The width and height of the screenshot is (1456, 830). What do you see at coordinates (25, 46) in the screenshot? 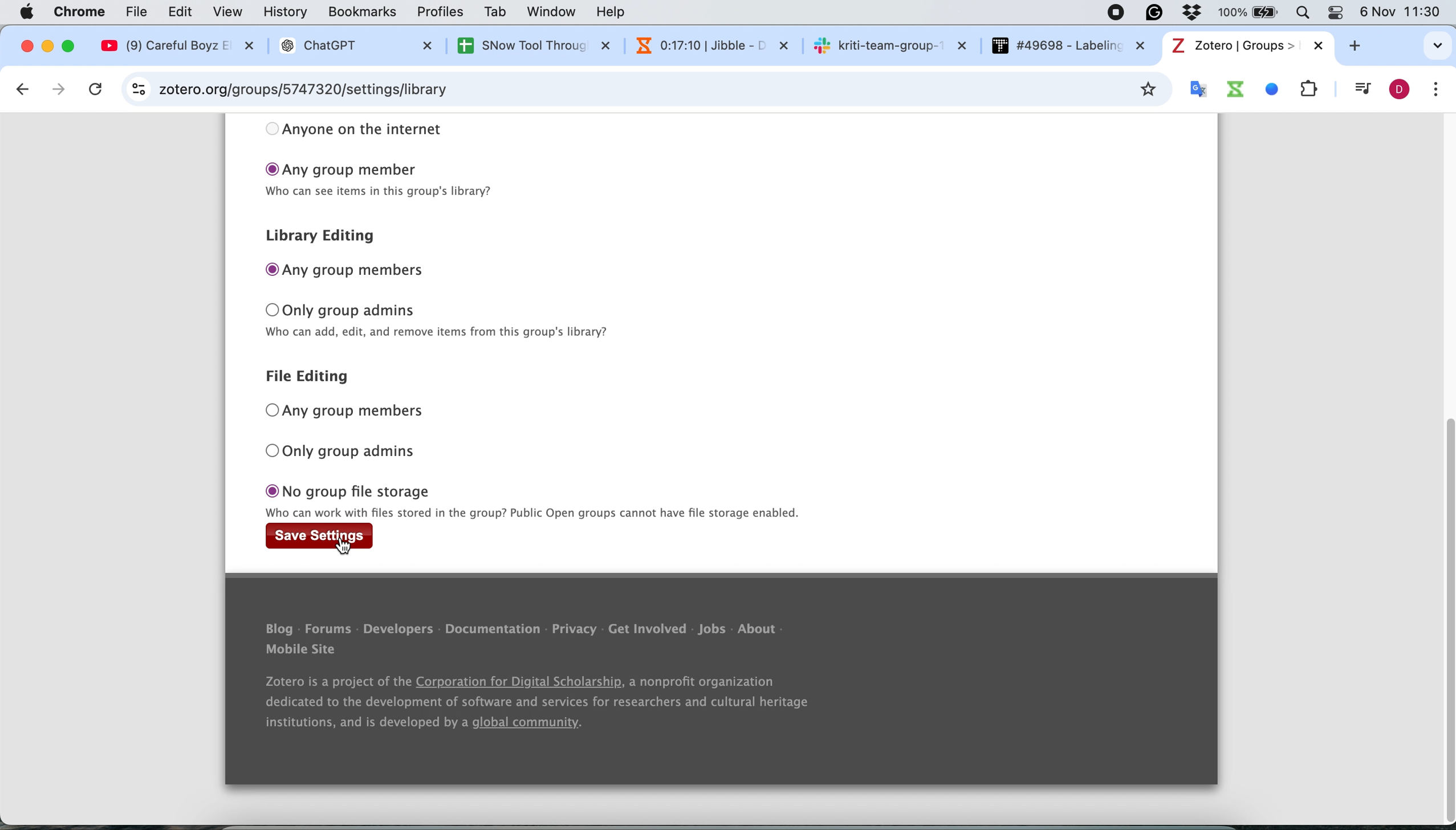
I see `close` at bounding box center [25, 46].